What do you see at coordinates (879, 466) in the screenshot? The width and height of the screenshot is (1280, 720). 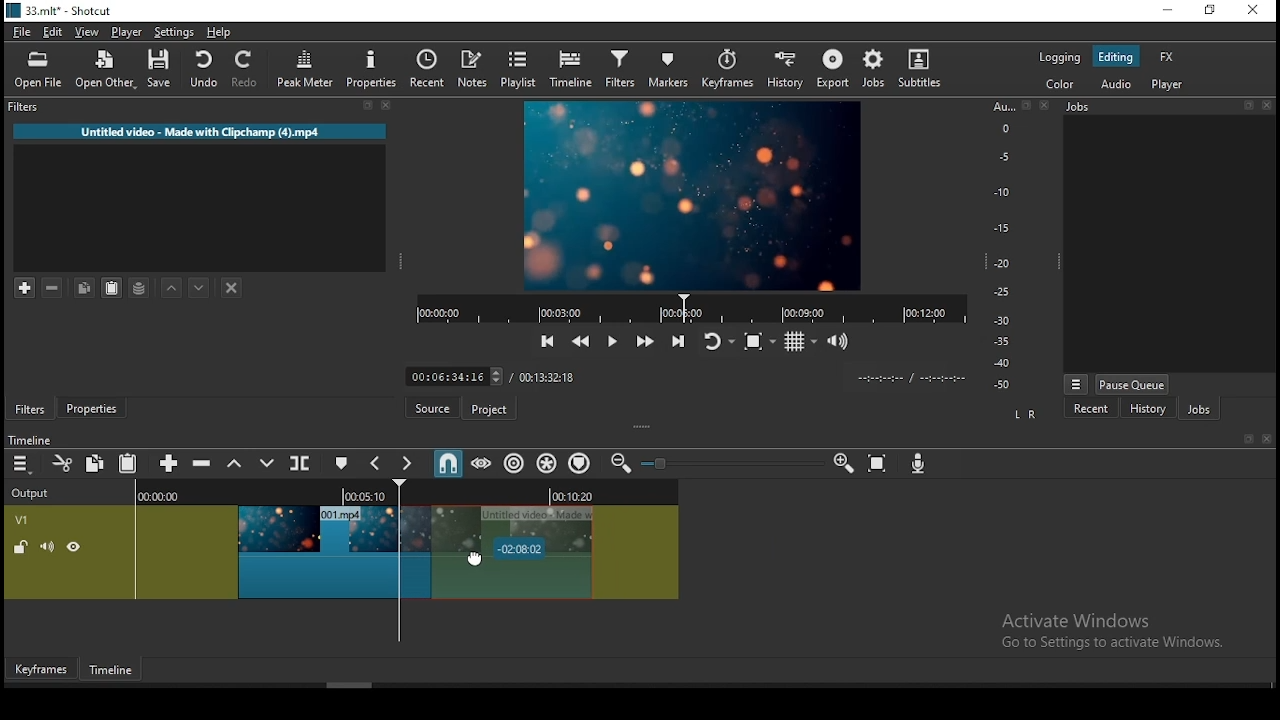 I see `zoom timeline to fit` at bounding box center [879, 466].